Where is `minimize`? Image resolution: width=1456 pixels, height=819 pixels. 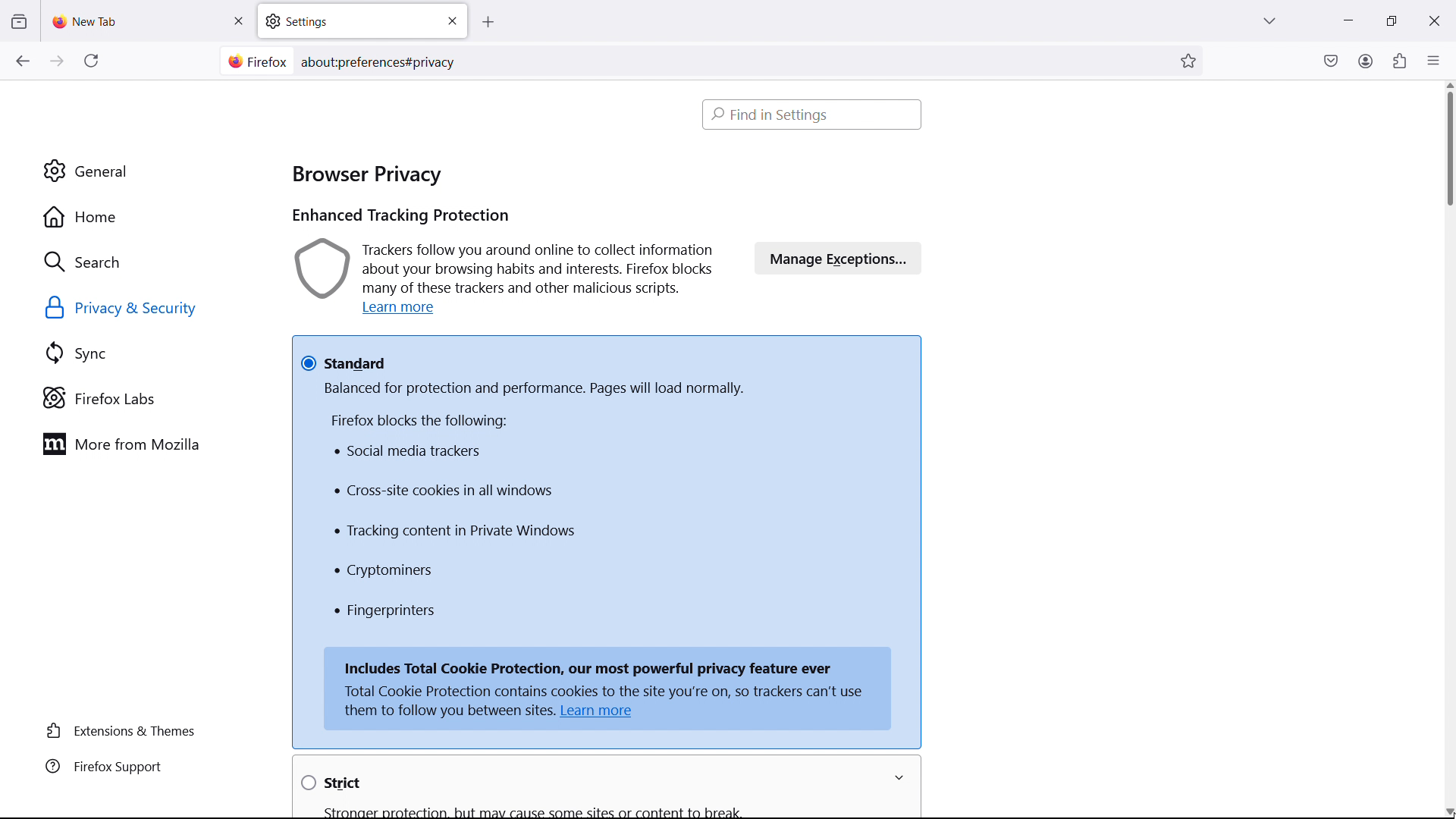 minimize is located at coordinates (1347, 19).